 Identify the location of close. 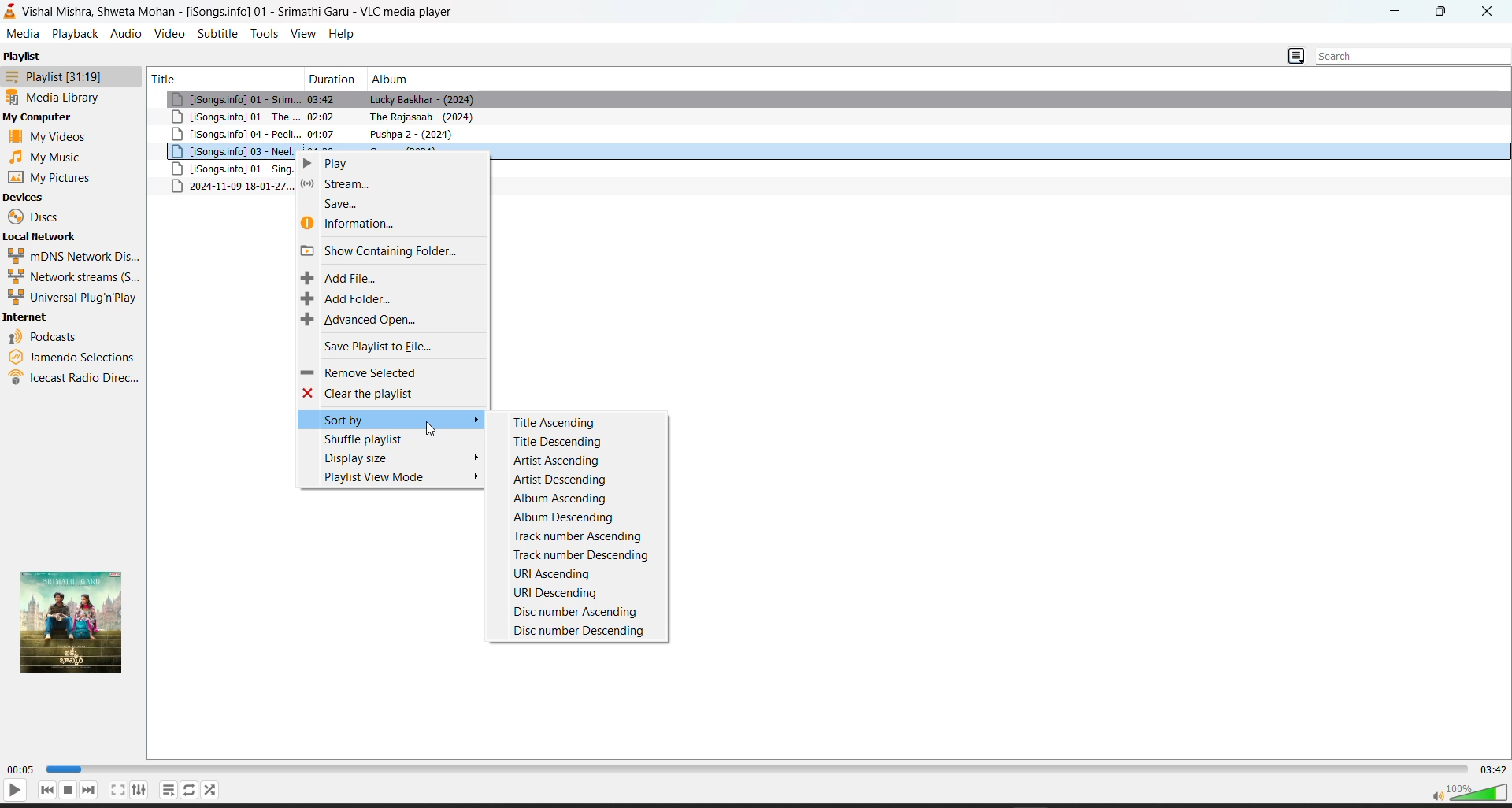
(1492, 11).